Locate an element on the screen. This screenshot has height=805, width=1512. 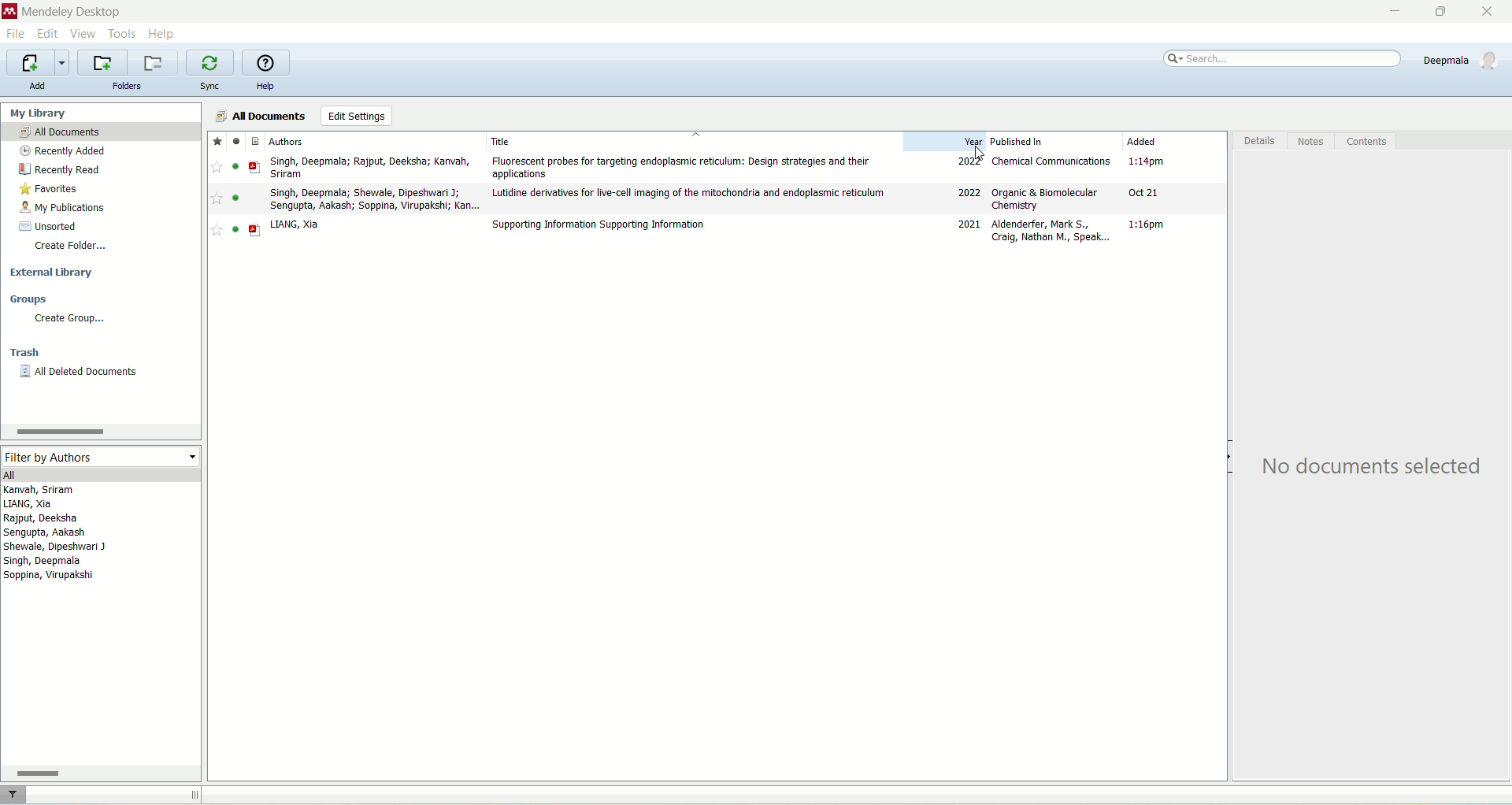
all deleted documents is located at coordinates (83, 371).